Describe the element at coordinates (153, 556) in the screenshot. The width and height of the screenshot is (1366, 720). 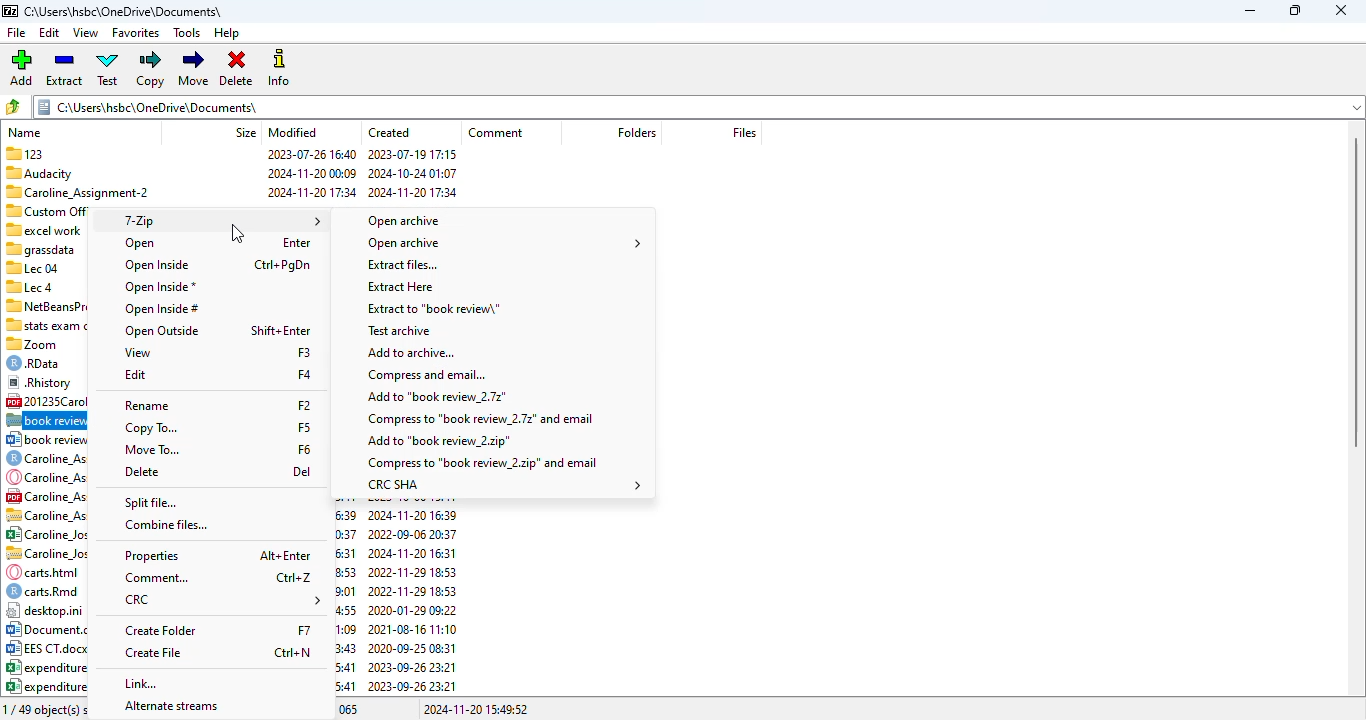
I see `properties` at that location.